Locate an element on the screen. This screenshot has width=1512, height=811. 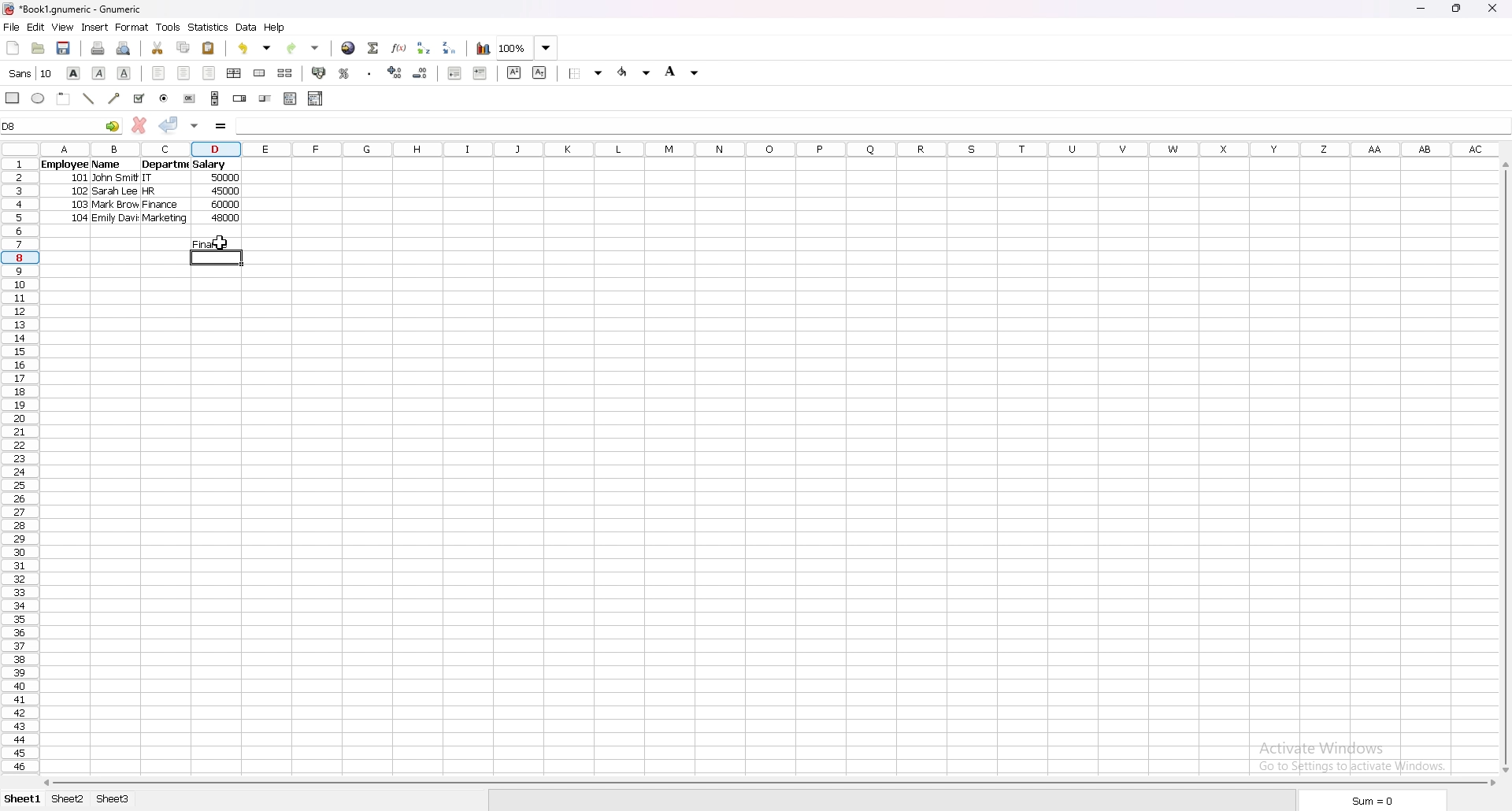
Employee is located at coordinates (62, 165).